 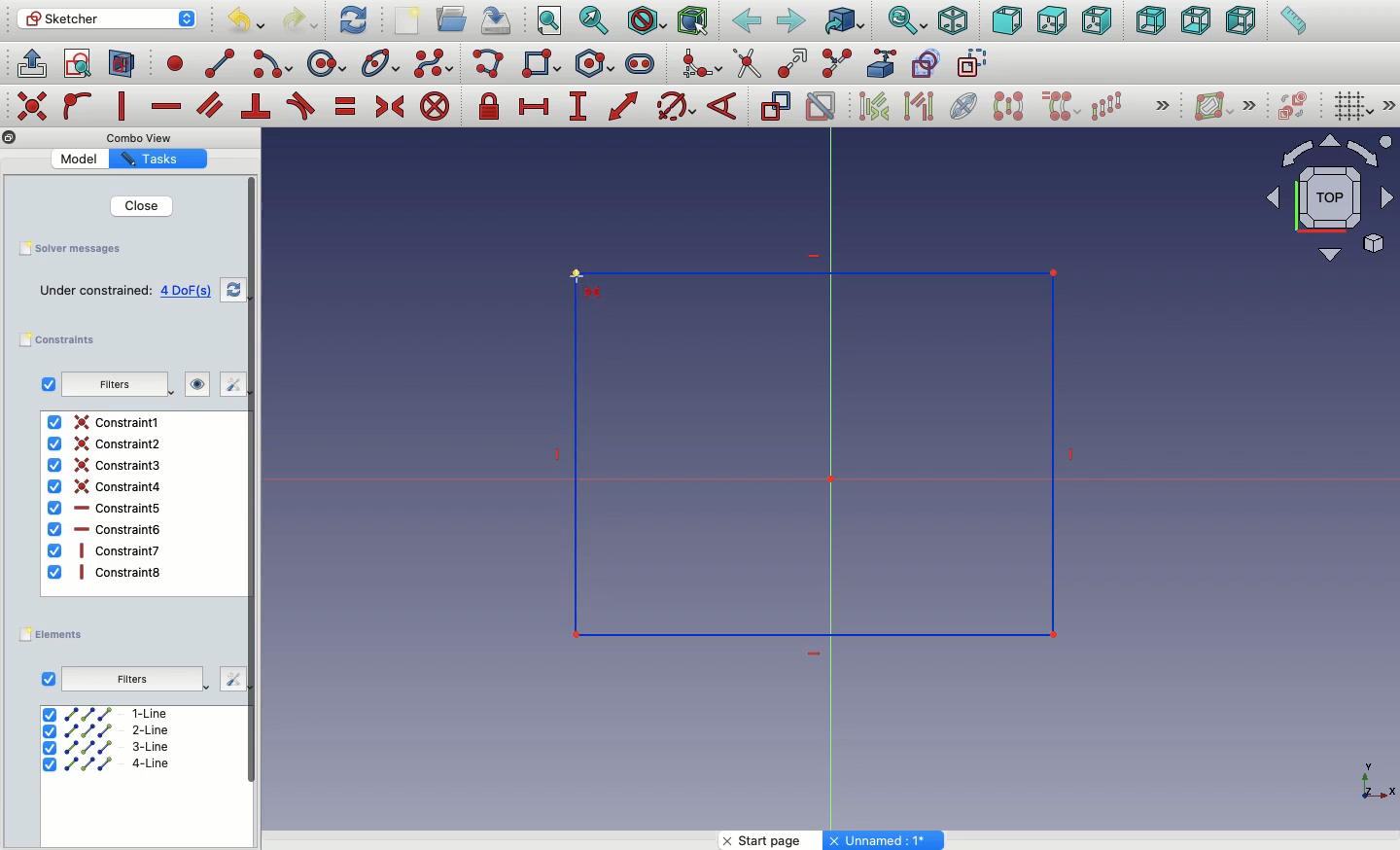 I want to click on elements, so click(x=54, y=635).